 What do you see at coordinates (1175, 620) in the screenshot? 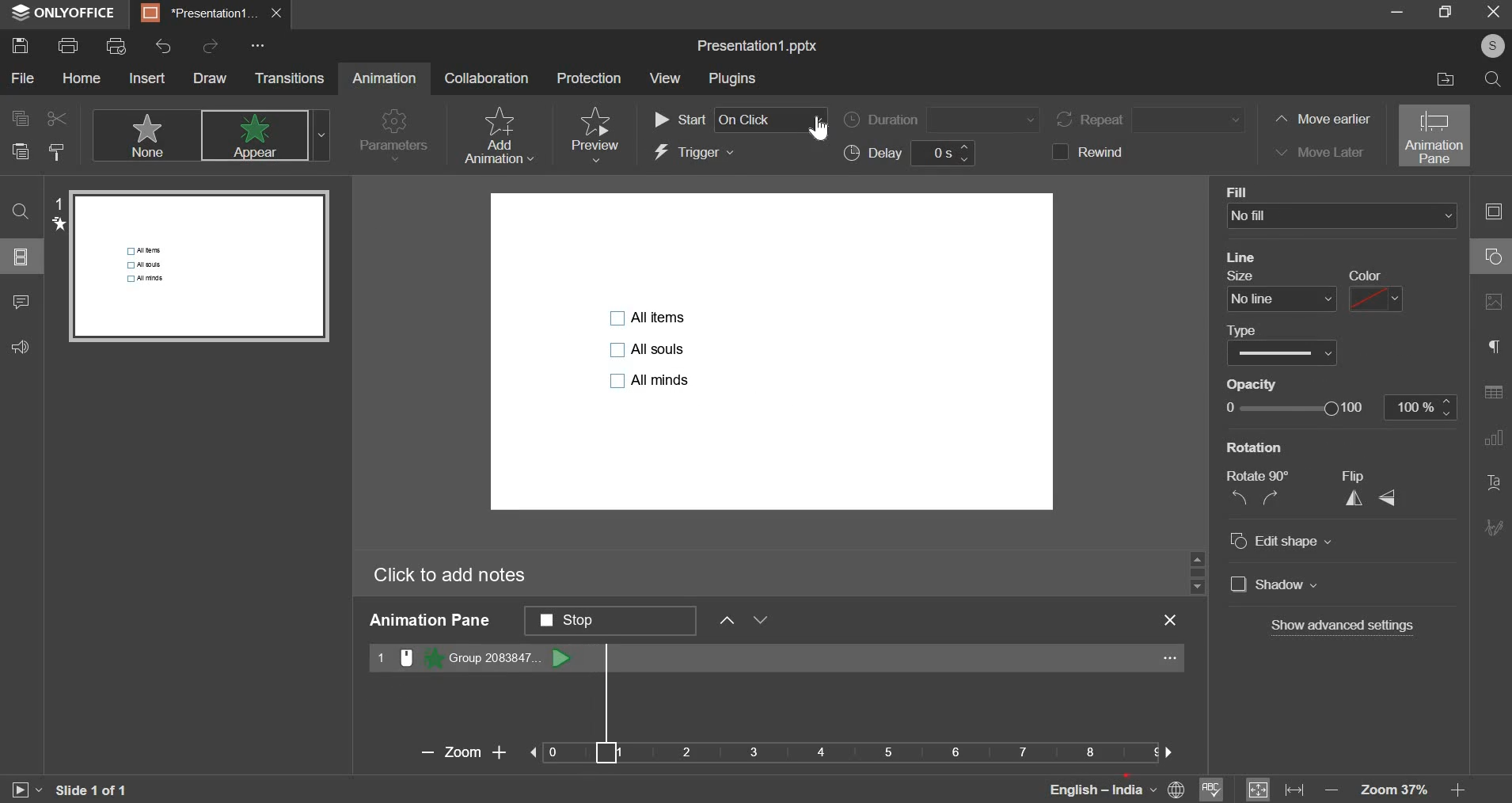
I see `exit` at bounding box center [1175, 620].